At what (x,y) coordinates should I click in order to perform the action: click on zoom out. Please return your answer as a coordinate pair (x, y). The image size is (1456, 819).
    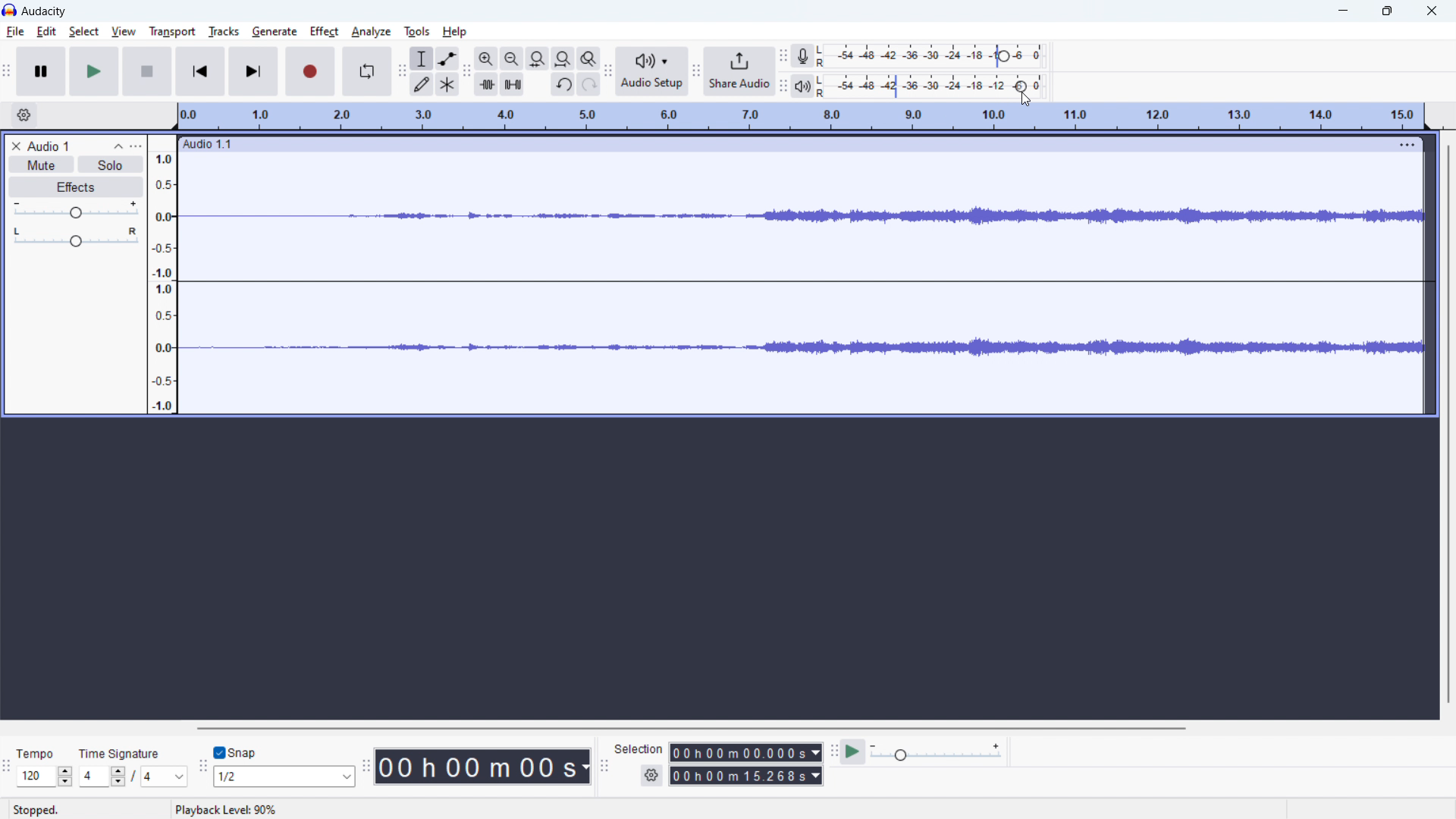
    Looking at the image, I should click on (512, 58).